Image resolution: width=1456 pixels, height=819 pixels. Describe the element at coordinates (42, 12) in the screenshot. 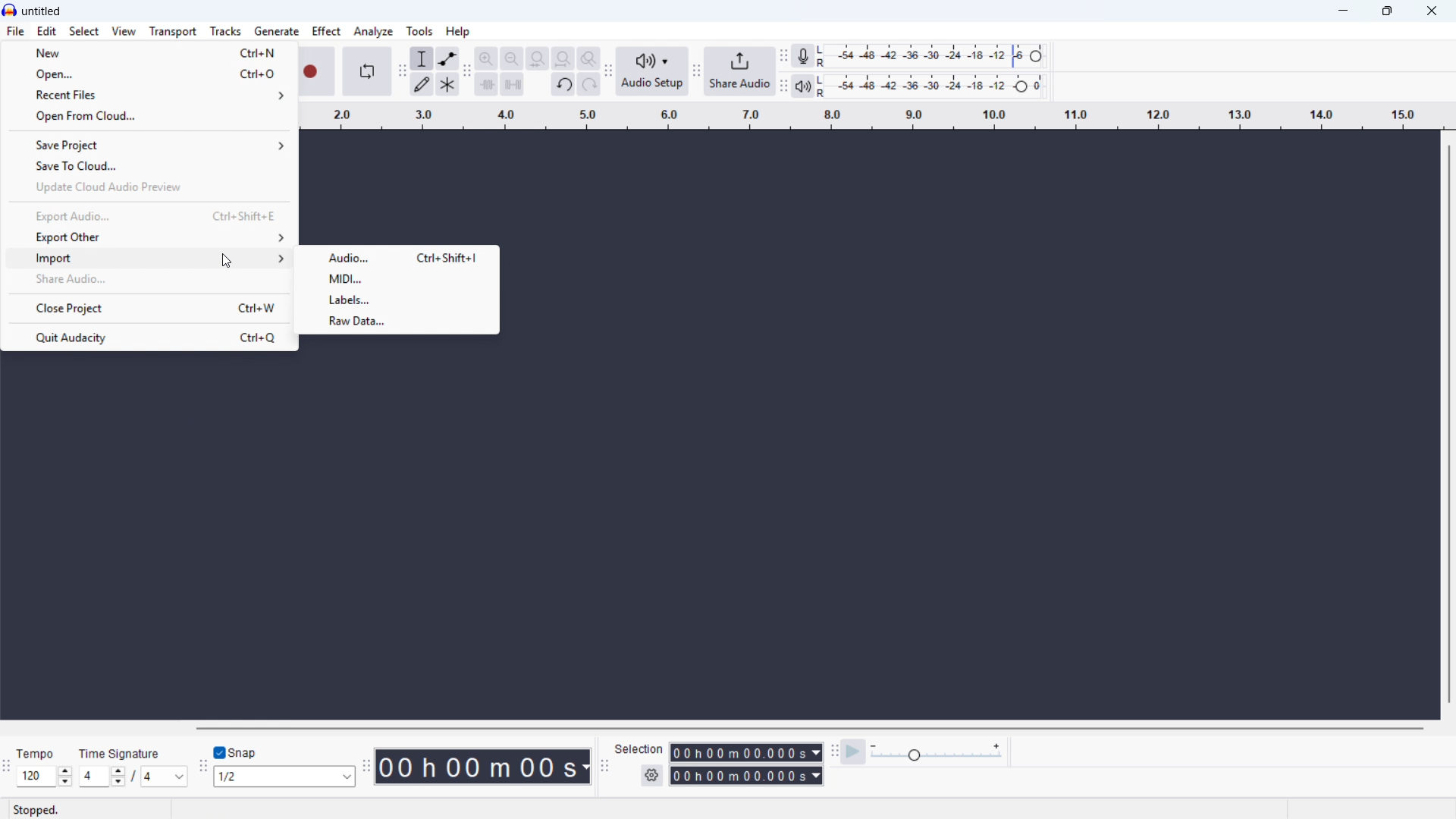

I see `untitled` at that location.